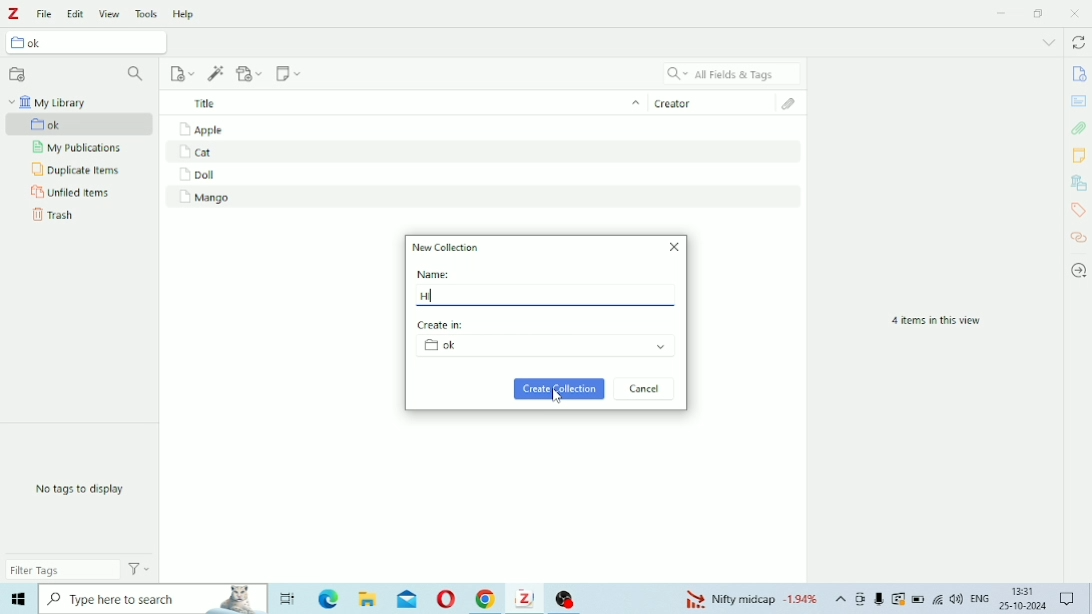 This screenshot has height=614, width=1092. What do you see at coordinates (435, 274) in the screenshot?
I see `Name:` at bounding box center [435, 274].